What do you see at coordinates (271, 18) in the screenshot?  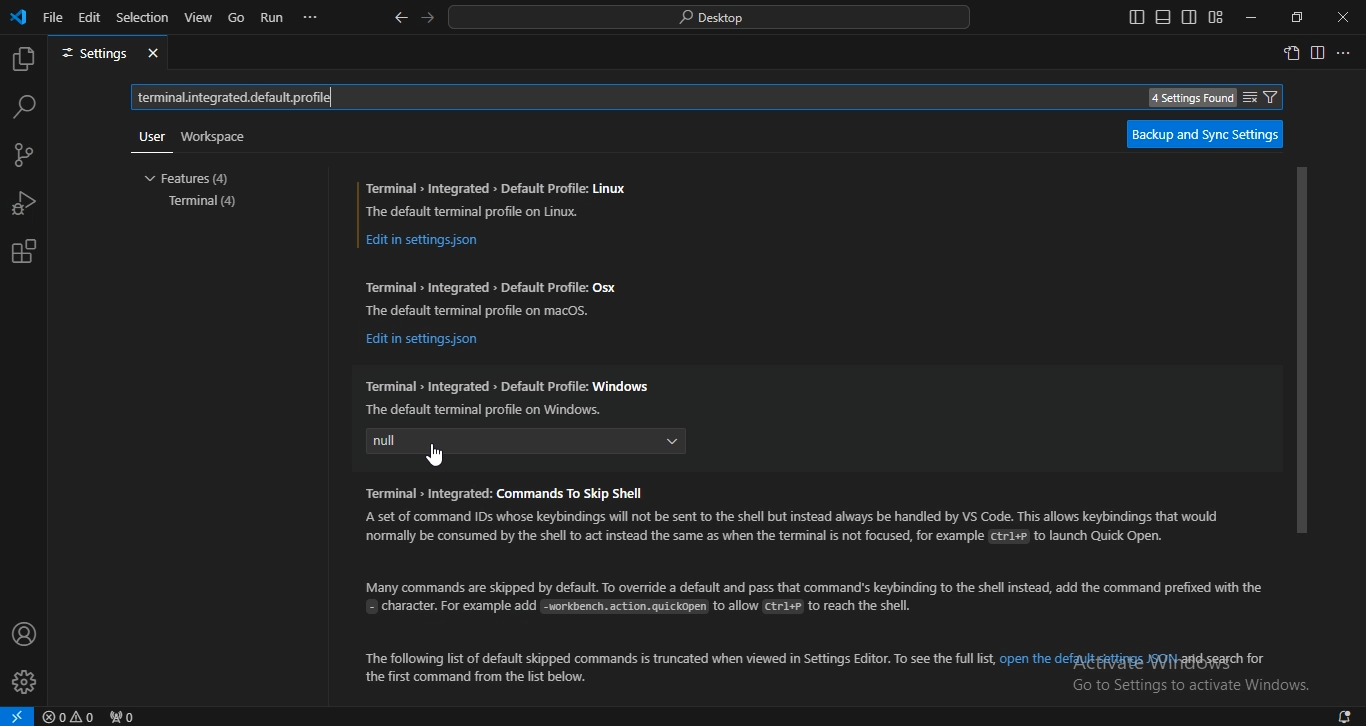 I see `run` at bounding box center [271, 18].